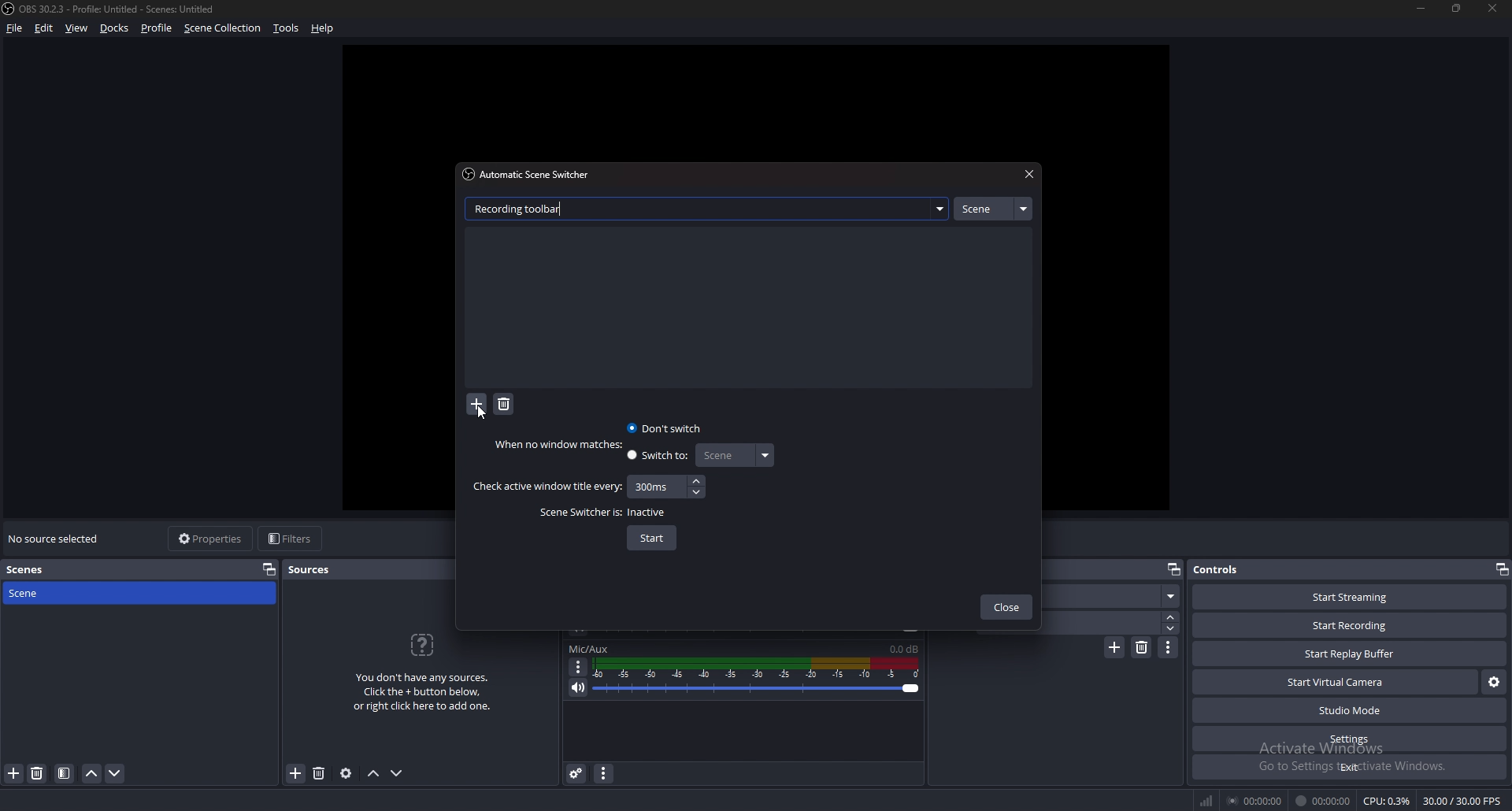 The height and width of the screenshot is (811, 1512). Describe the element at coordinates (317, 569) in the screenshot. I see `sources` at that location.